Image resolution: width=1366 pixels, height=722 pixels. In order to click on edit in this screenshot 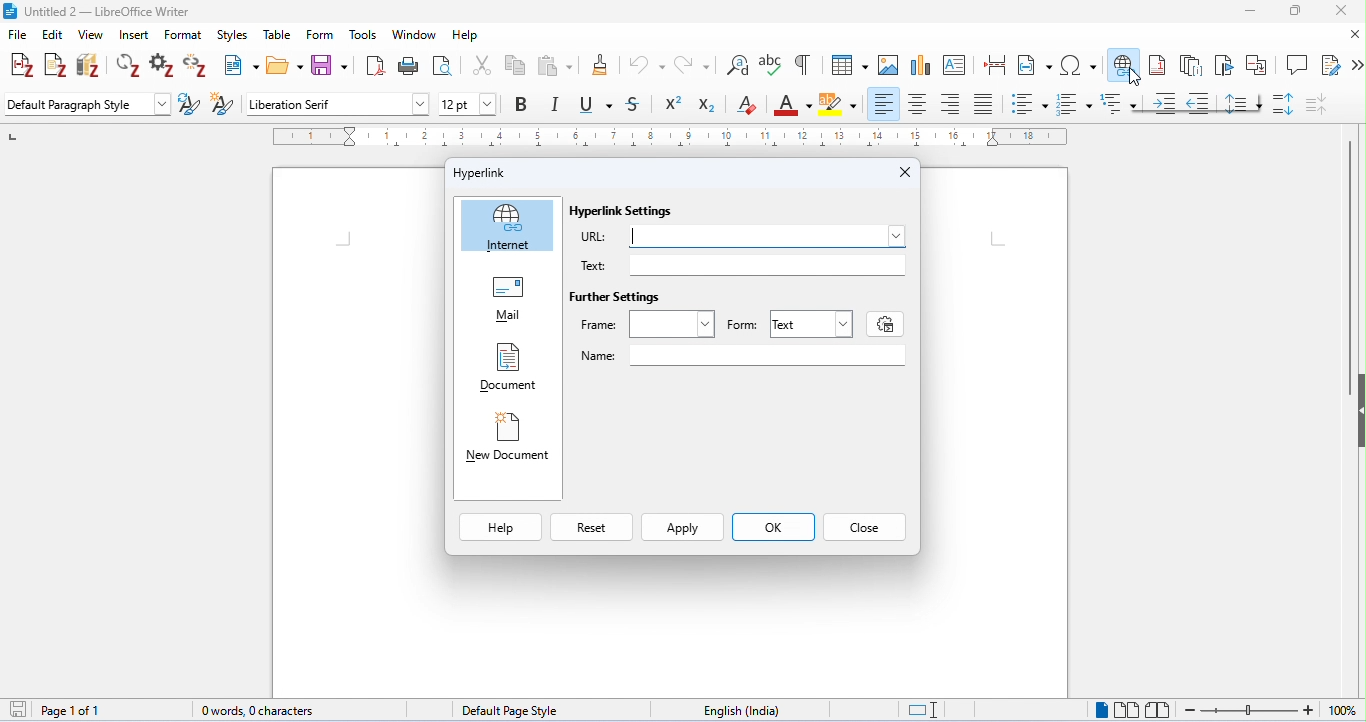, I will do `click(55, 34)`.